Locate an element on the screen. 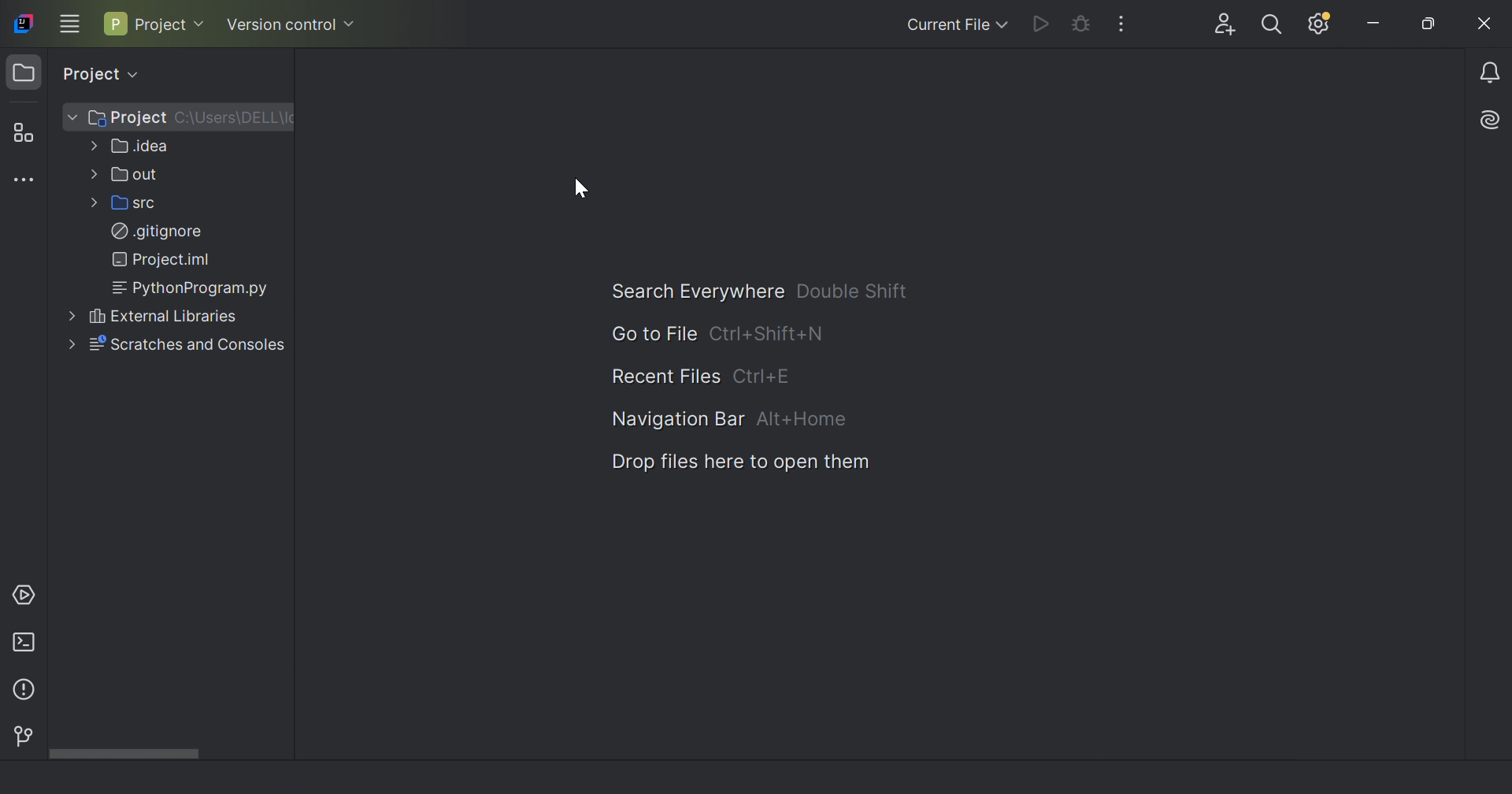 The image size is (1512, 794). External libraries is located at coordinates (154, 317).